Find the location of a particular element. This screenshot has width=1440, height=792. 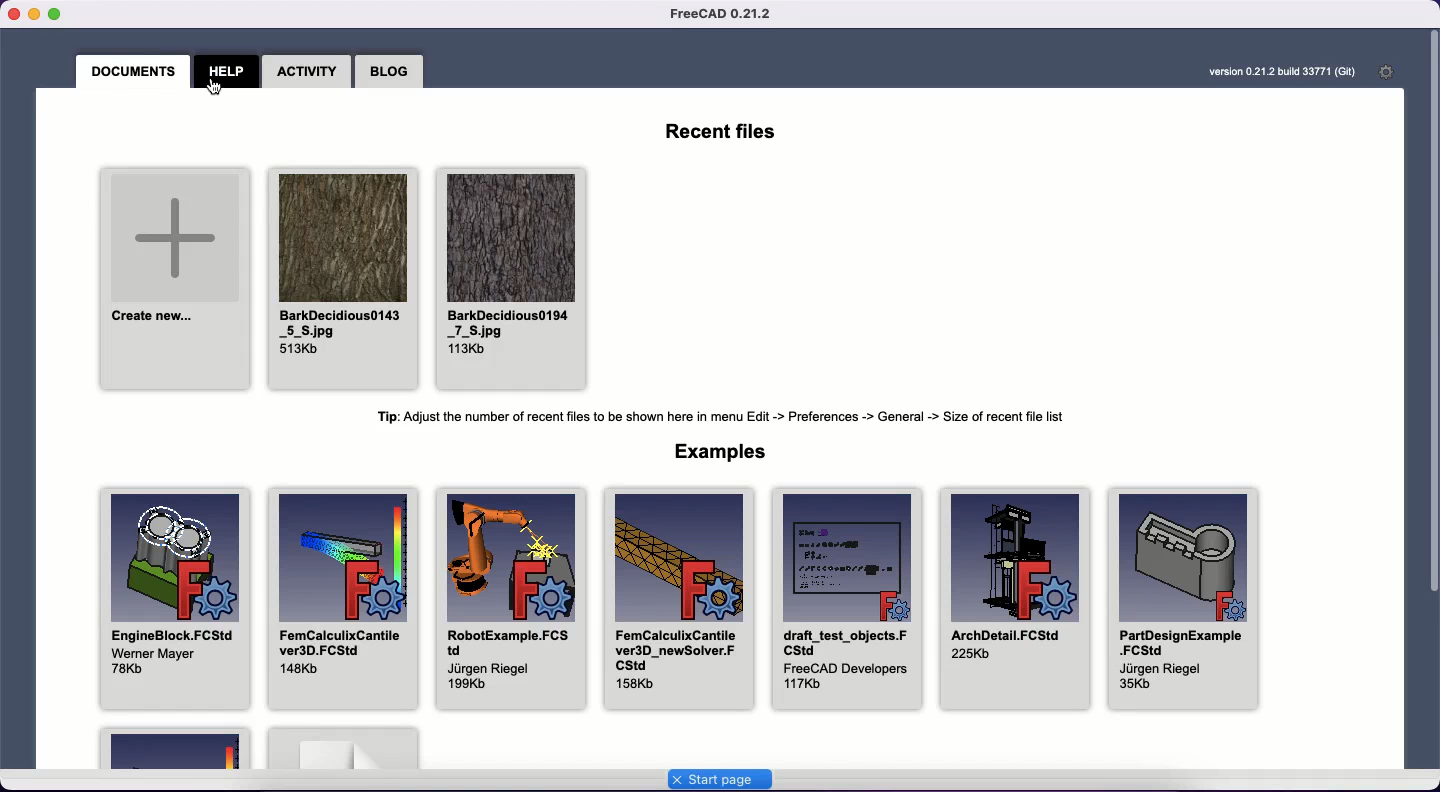

Image project is located at coordinates (340, 277).